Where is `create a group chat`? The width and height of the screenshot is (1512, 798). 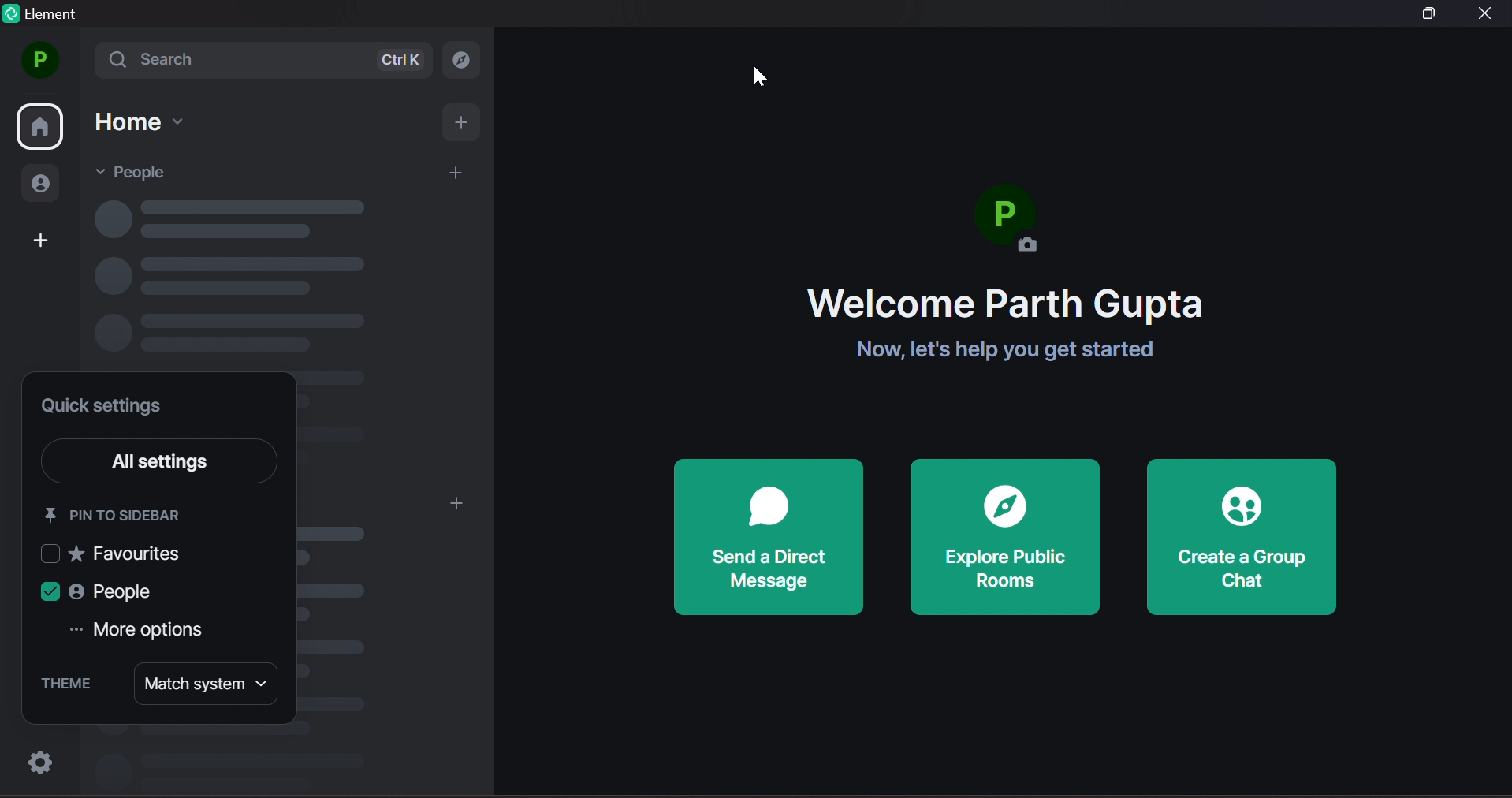
create a group chat is located at coordinates (1243, 538).